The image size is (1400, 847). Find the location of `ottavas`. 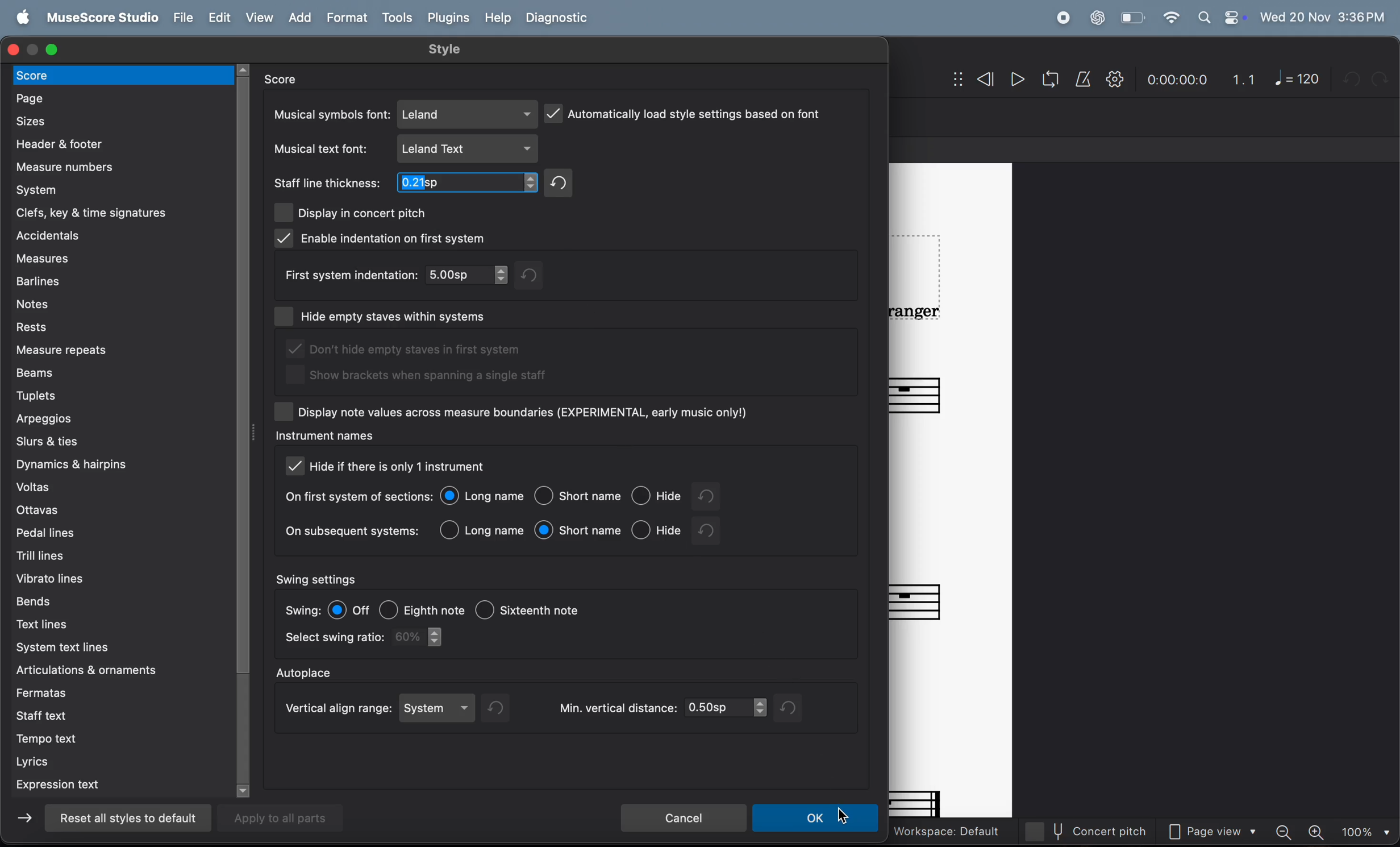

ottavas is located at coordinates (113, 511).